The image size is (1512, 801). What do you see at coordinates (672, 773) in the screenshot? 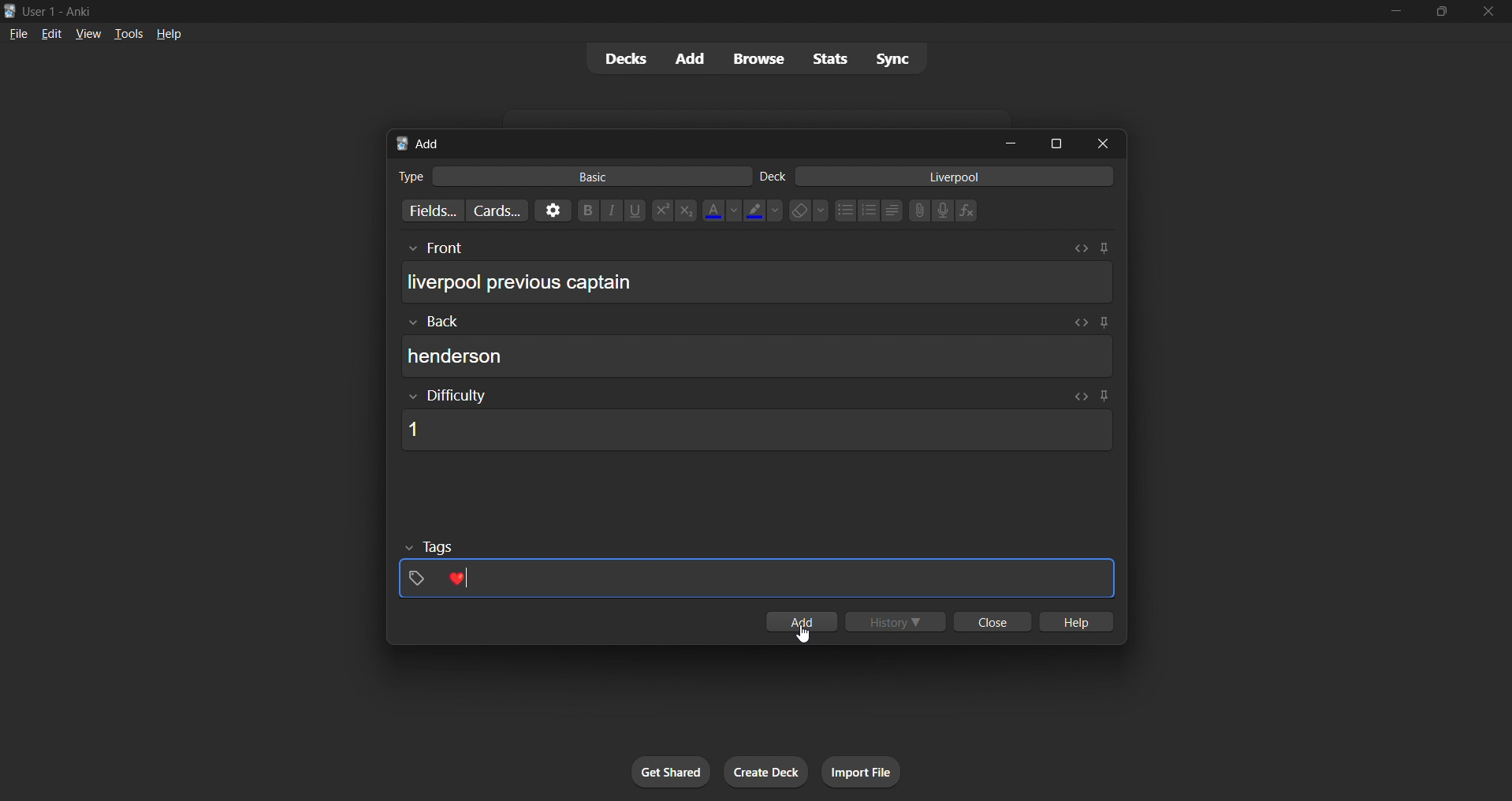
I see `get shared` at bounding box center [672, 773].